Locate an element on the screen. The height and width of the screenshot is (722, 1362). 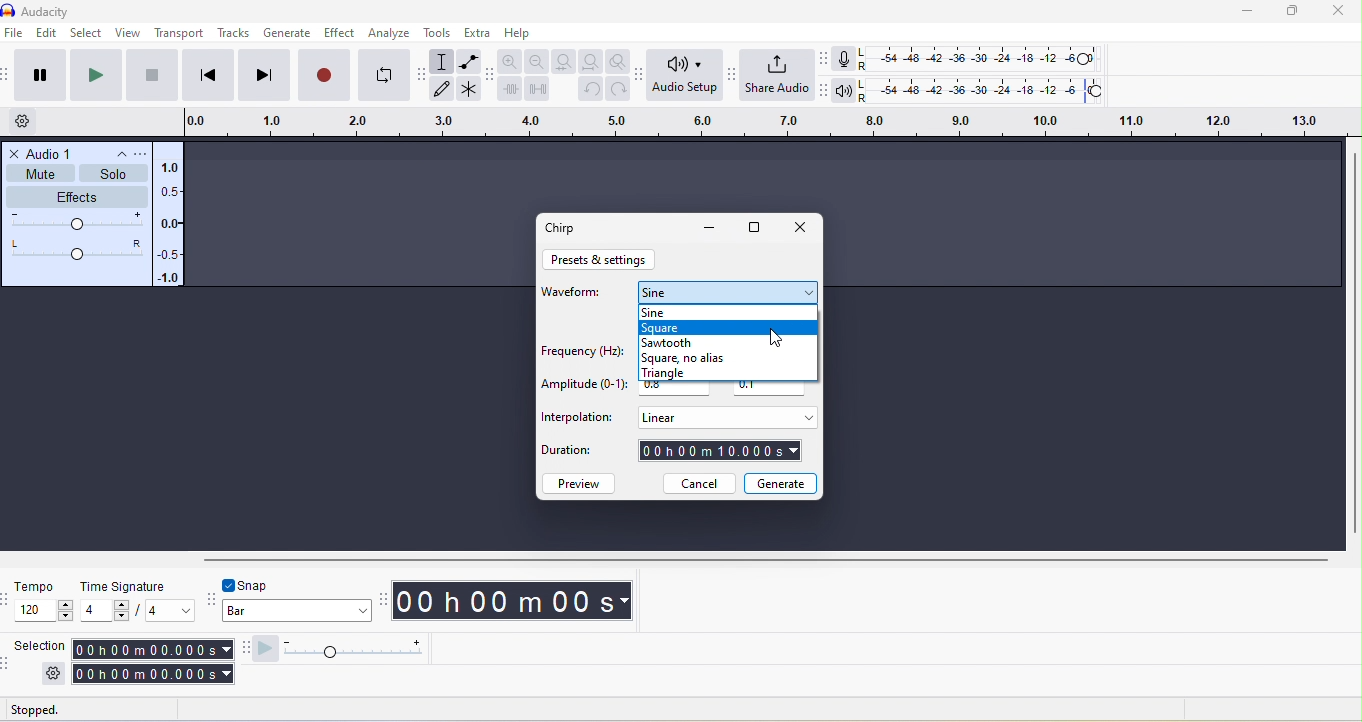
edit is located at coordinates (46, 34).